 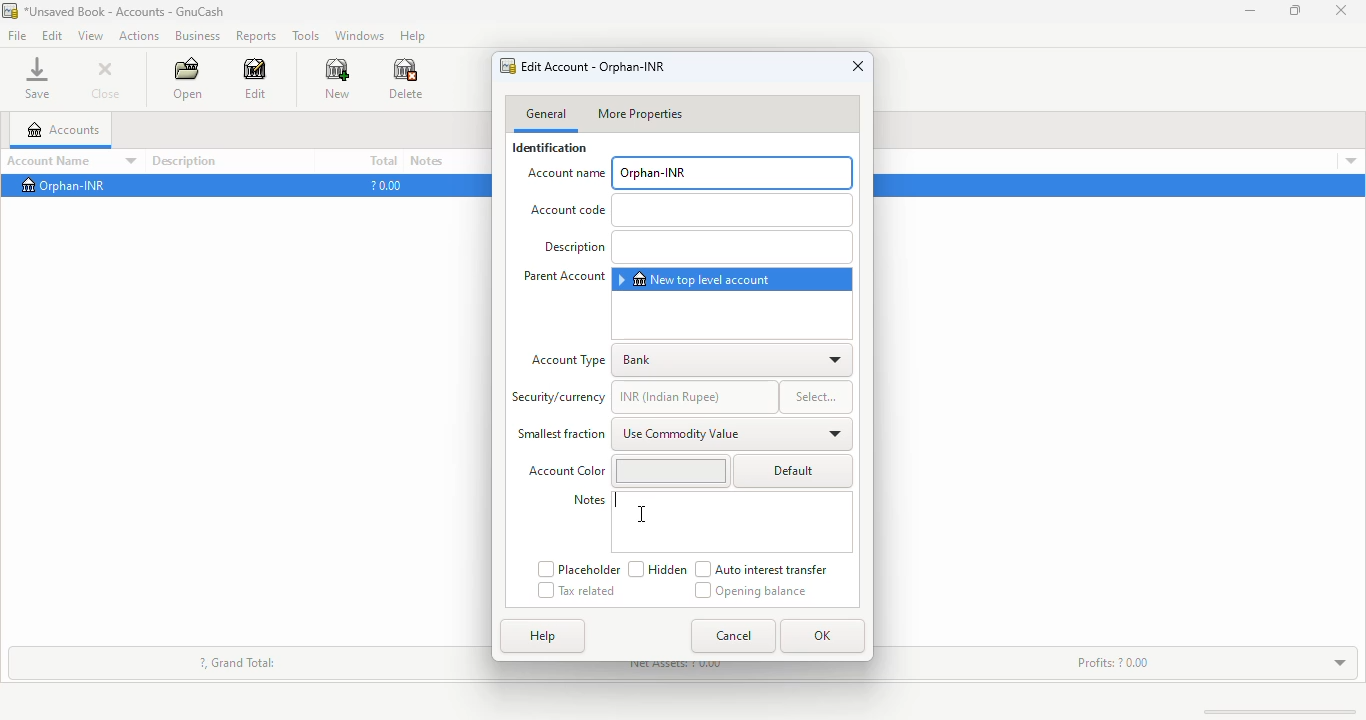 What do you see at coordinates (90, 36) in the screenshot?
I see `view` at bounding box center [90, 36].